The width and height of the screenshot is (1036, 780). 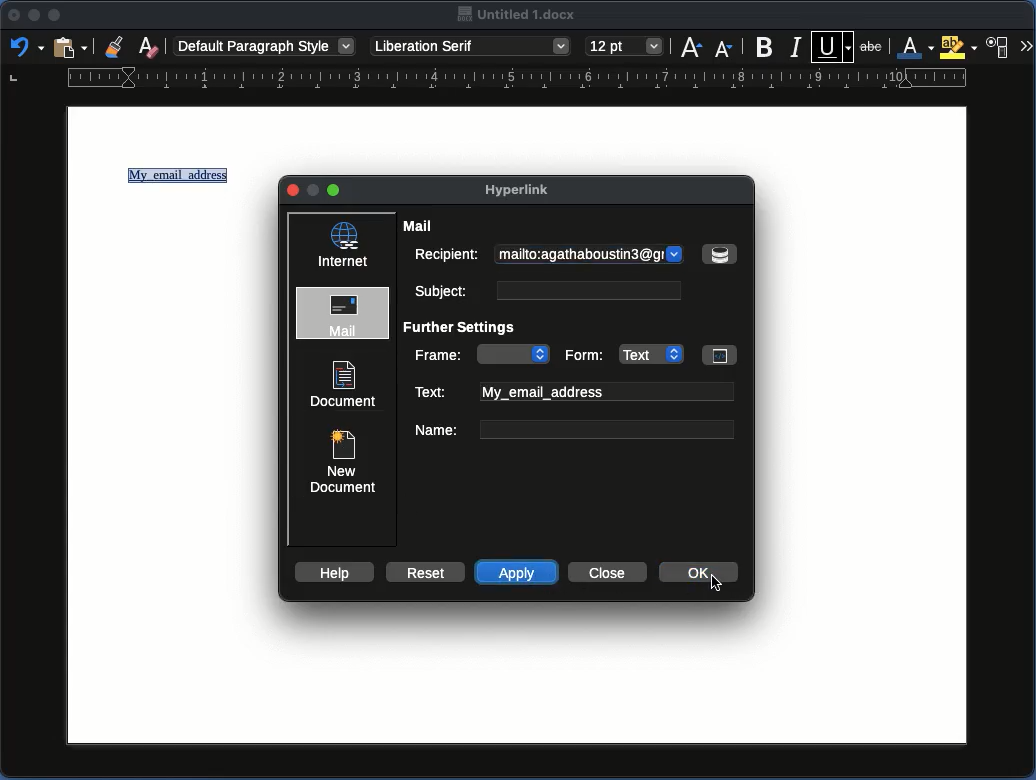 What do you see at coordinates (912, 47) in the screenshot?
I see `Font color` at bounding box center [912, 47].